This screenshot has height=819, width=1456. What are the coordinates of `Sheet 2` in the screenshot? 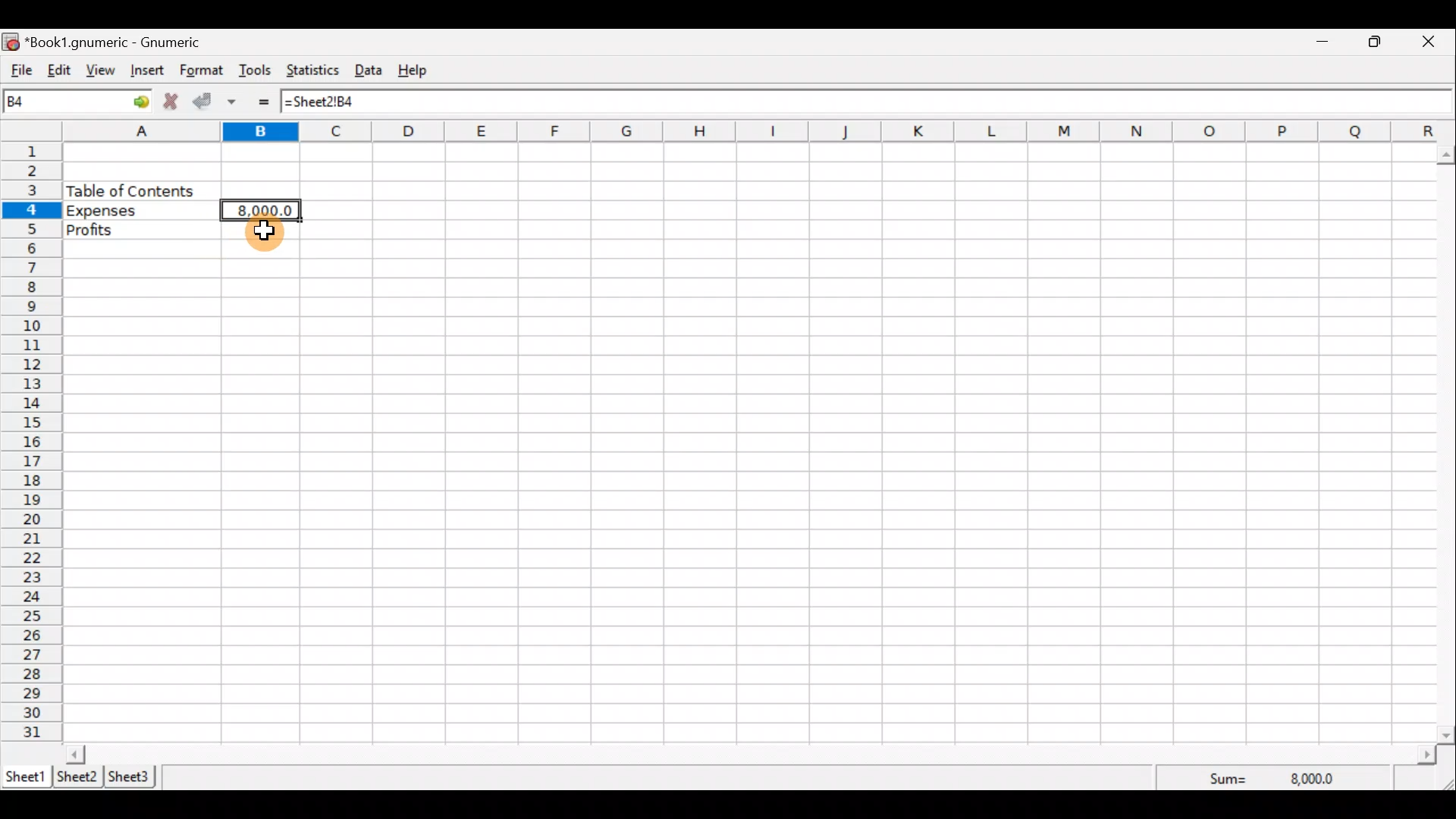 It's located at (78, 777).